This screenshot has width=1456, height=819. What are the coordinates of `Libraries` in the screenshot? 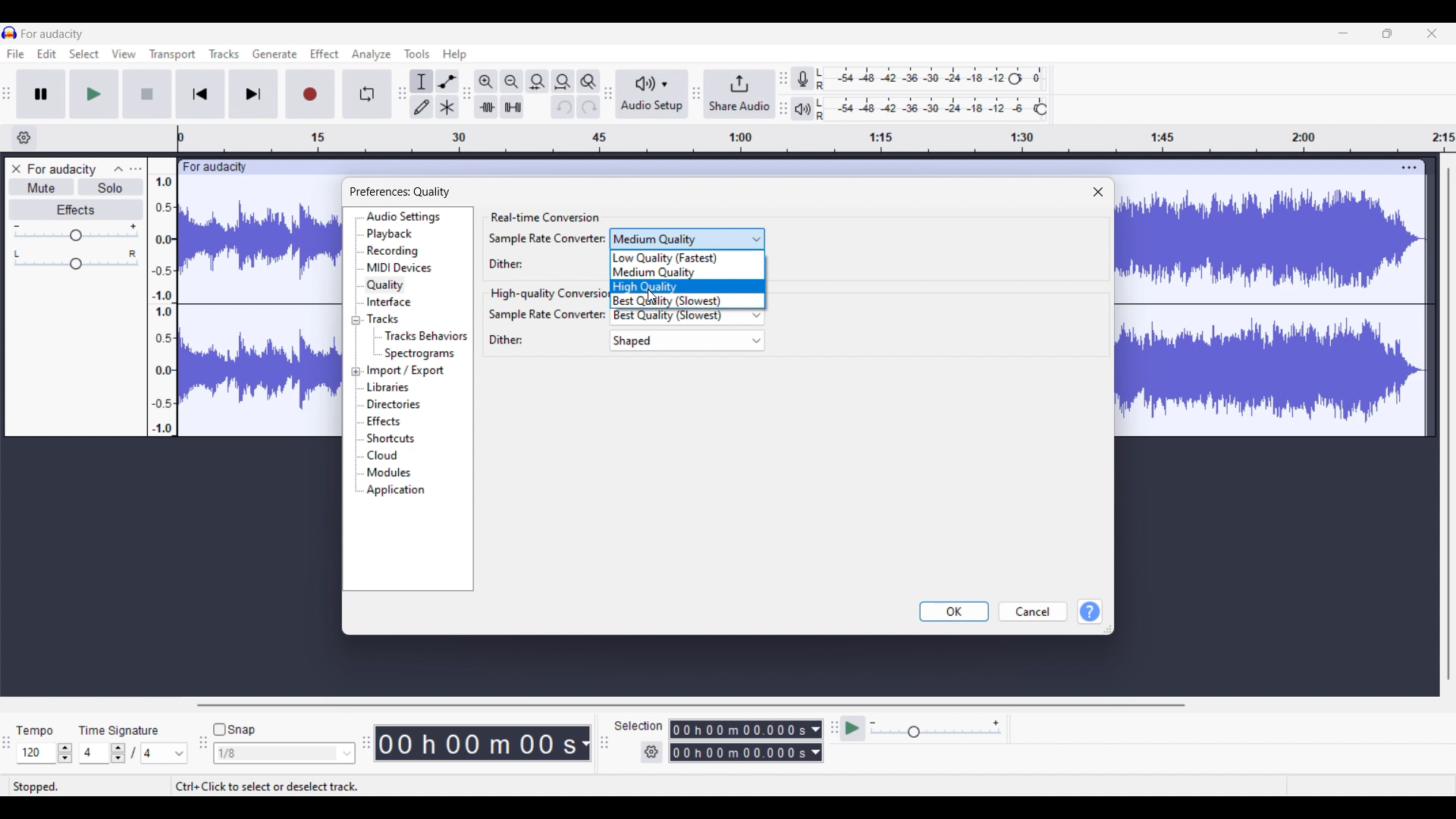 It's located at (389, 388).